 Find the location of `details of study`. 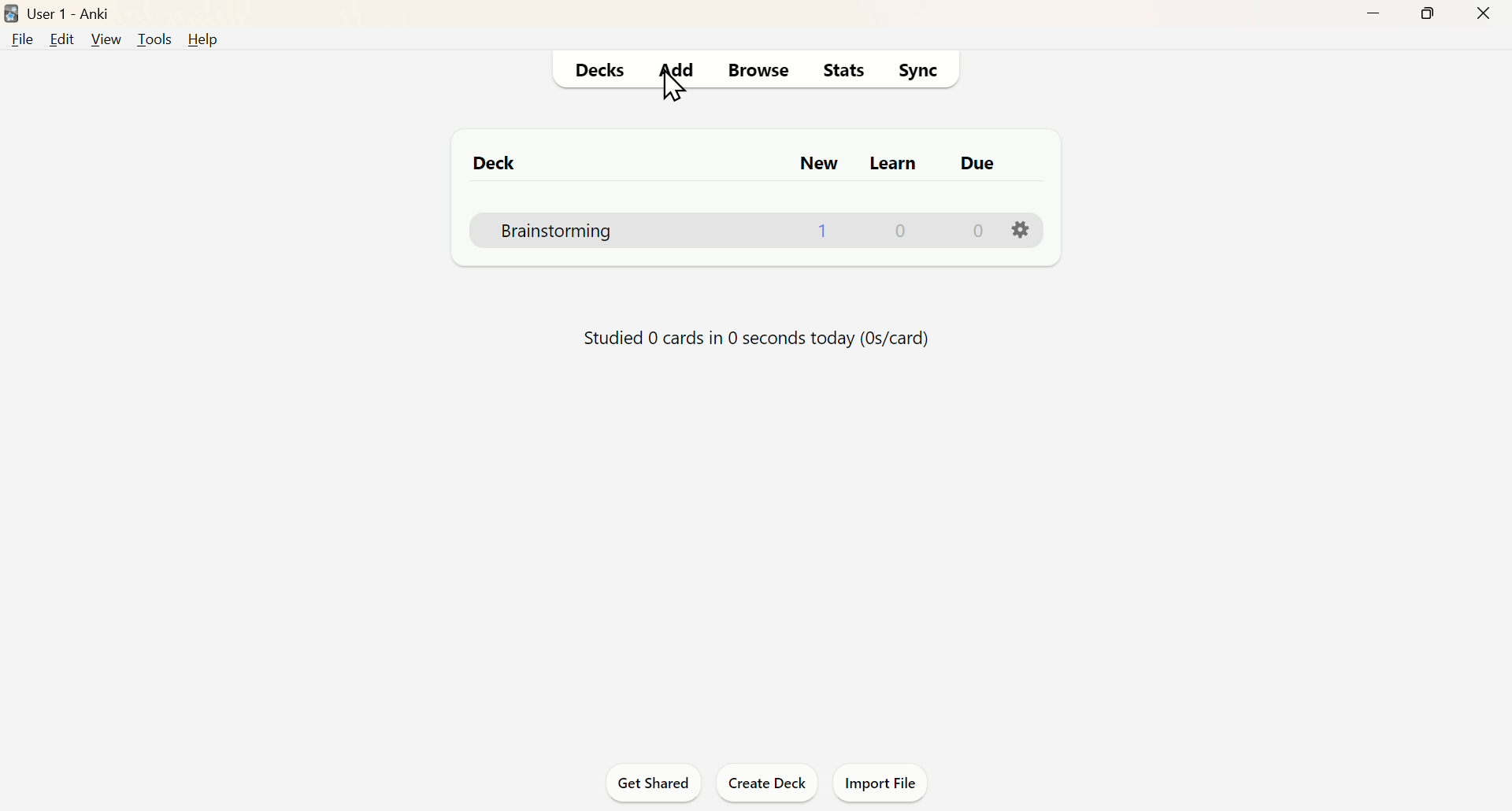

details of study is located at coordinates (736, 340).